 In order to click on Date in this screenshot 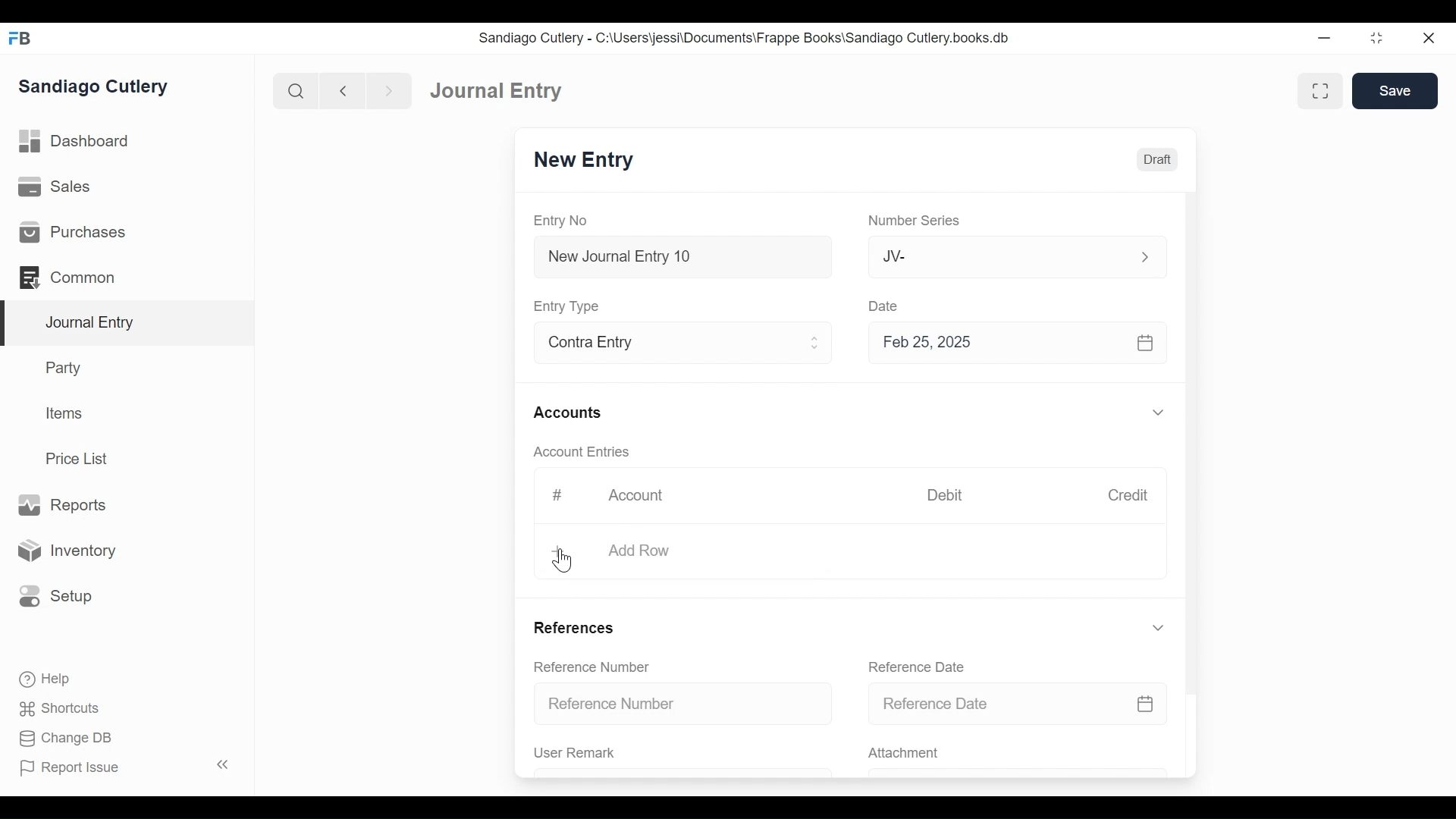, I will do `click(886, 306)`.